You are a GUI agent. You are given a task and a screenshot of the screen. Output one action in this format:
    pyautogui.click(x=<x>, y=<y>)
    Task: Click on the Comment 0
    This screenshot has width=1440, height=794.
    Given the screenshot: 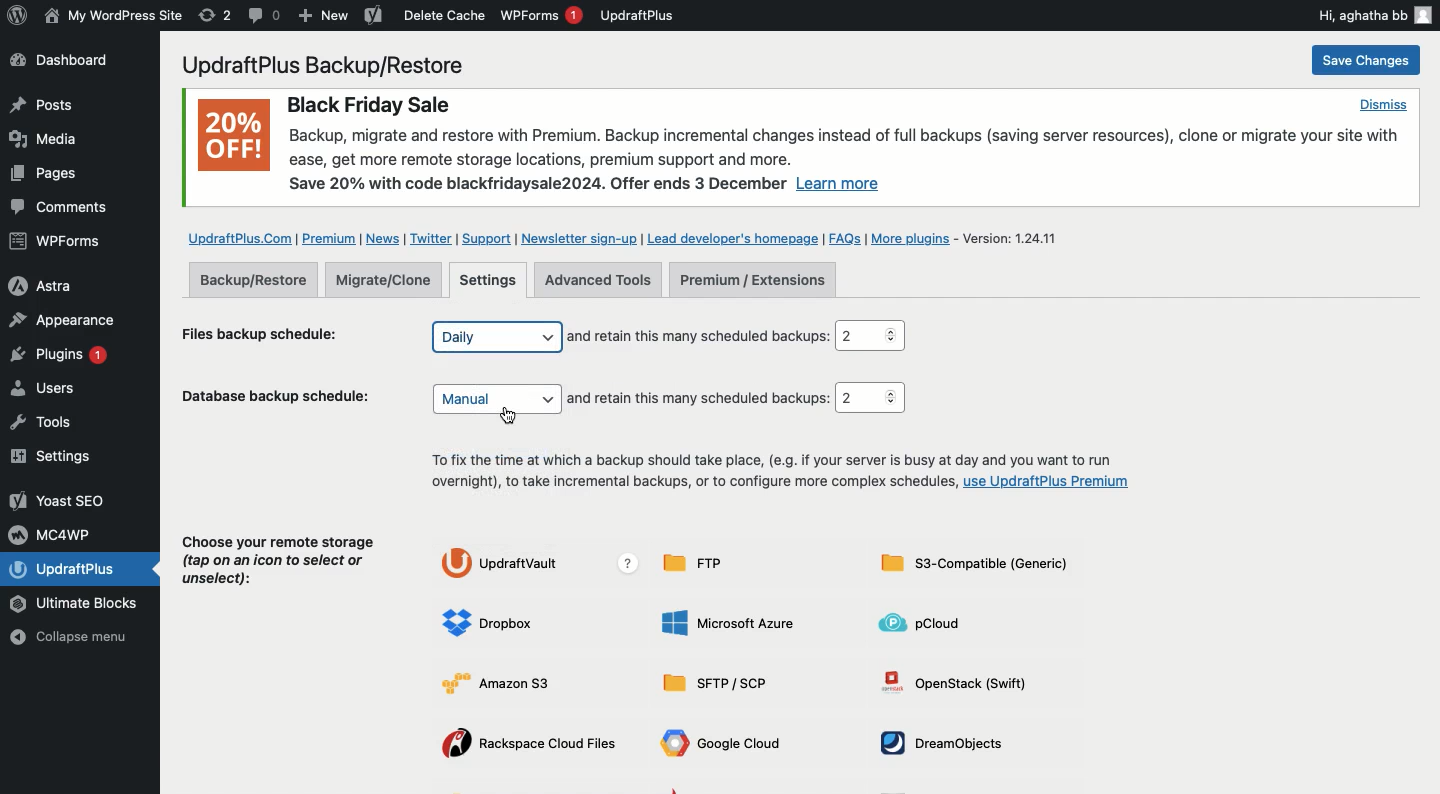 What is the action you would take?
    pyautogui.click(x=265, y=15)
    